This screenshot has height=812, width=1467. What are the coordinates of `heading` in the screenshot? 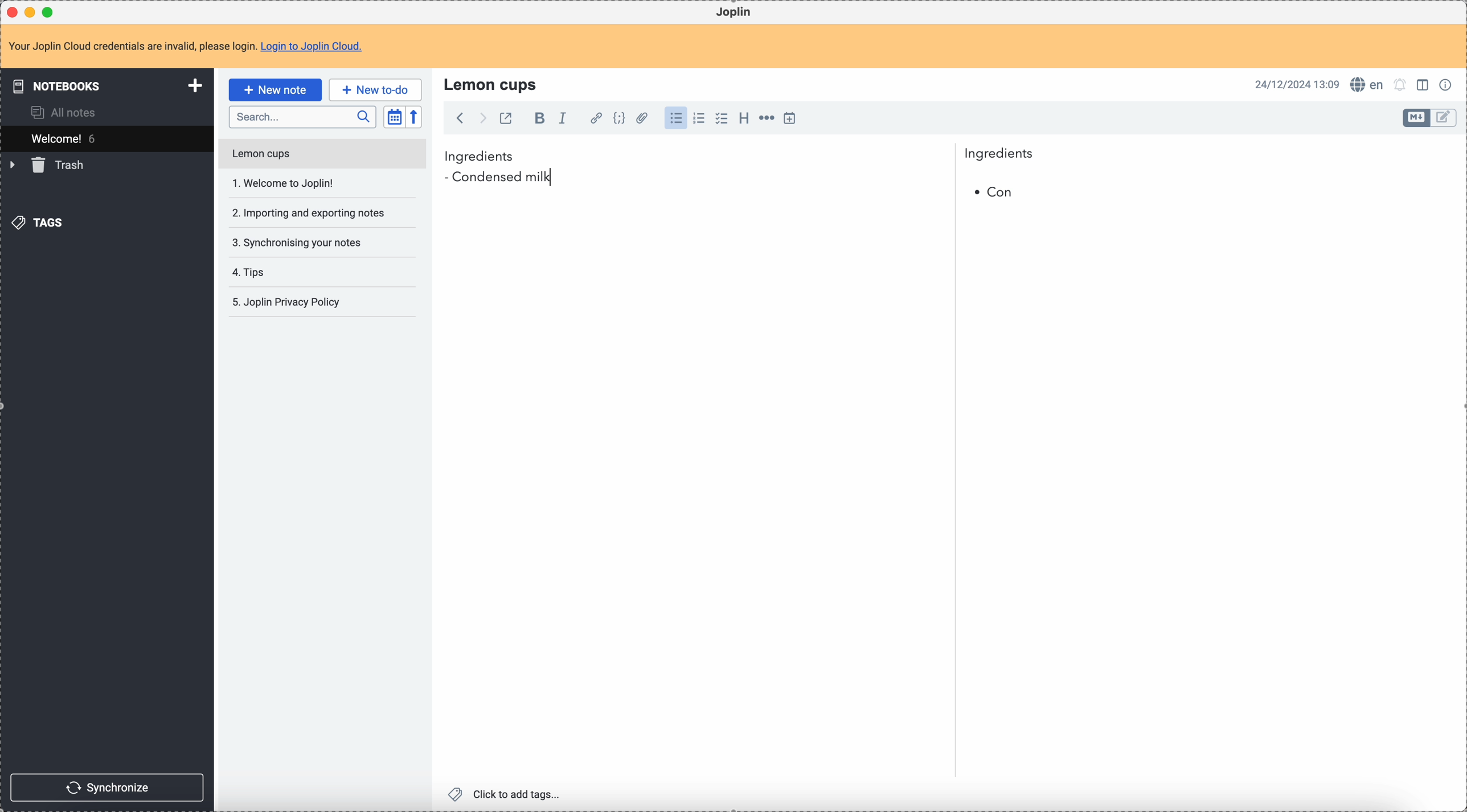 It's located at (744, 117).